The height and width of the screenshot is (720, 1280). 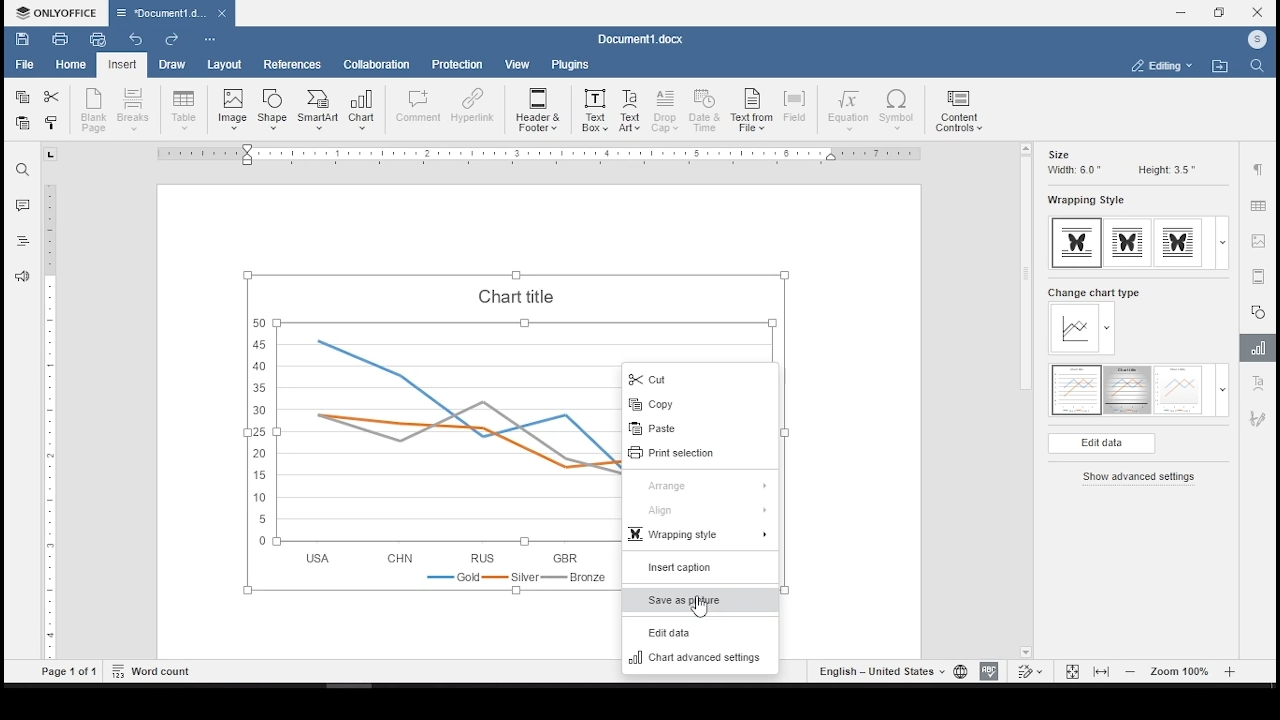 I want to click on insert image, so click(x=231, y=110).